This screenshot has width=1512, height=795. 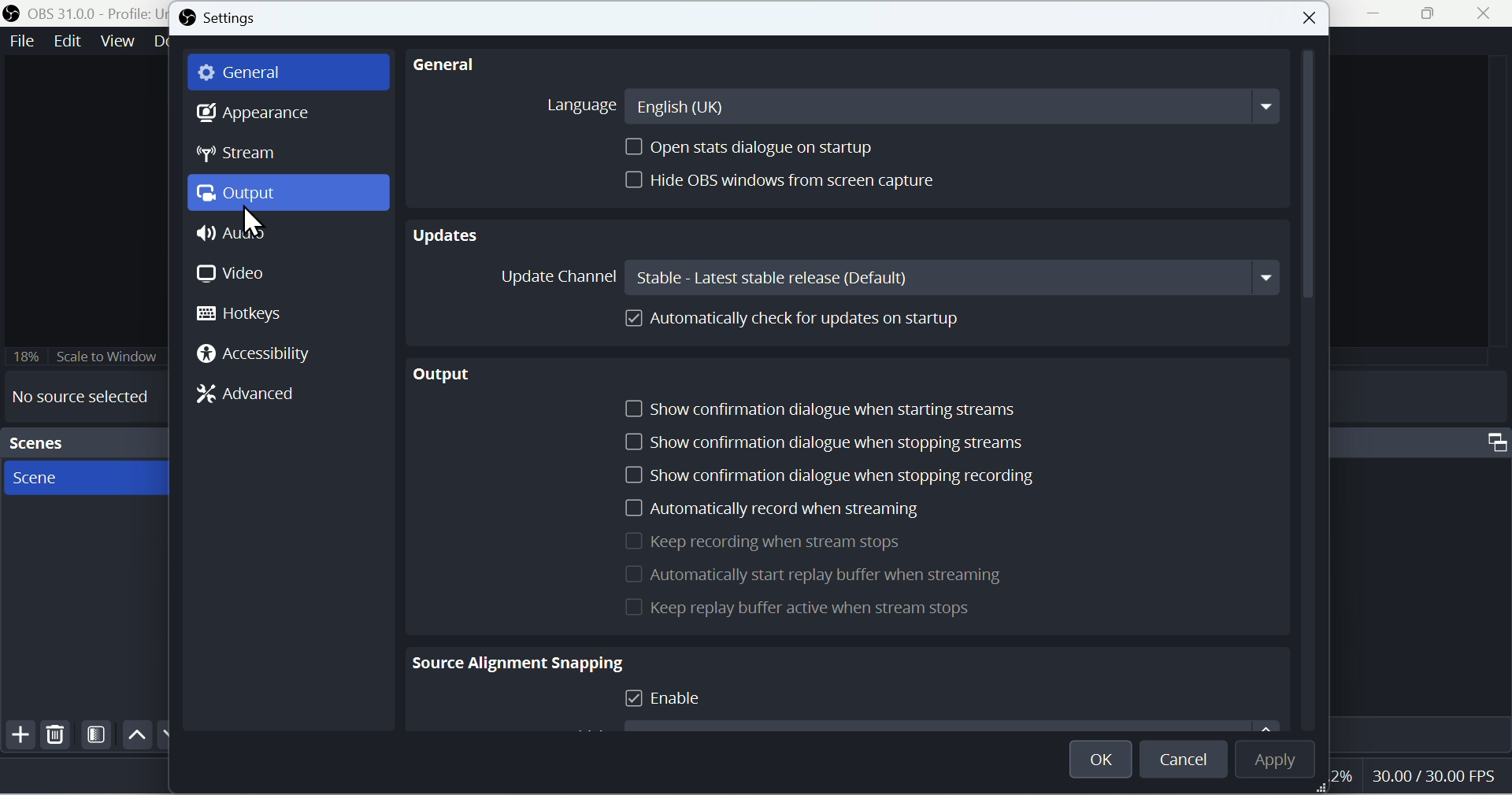 I want to click on Automatically record when streaming, so click(x=776, y=507).